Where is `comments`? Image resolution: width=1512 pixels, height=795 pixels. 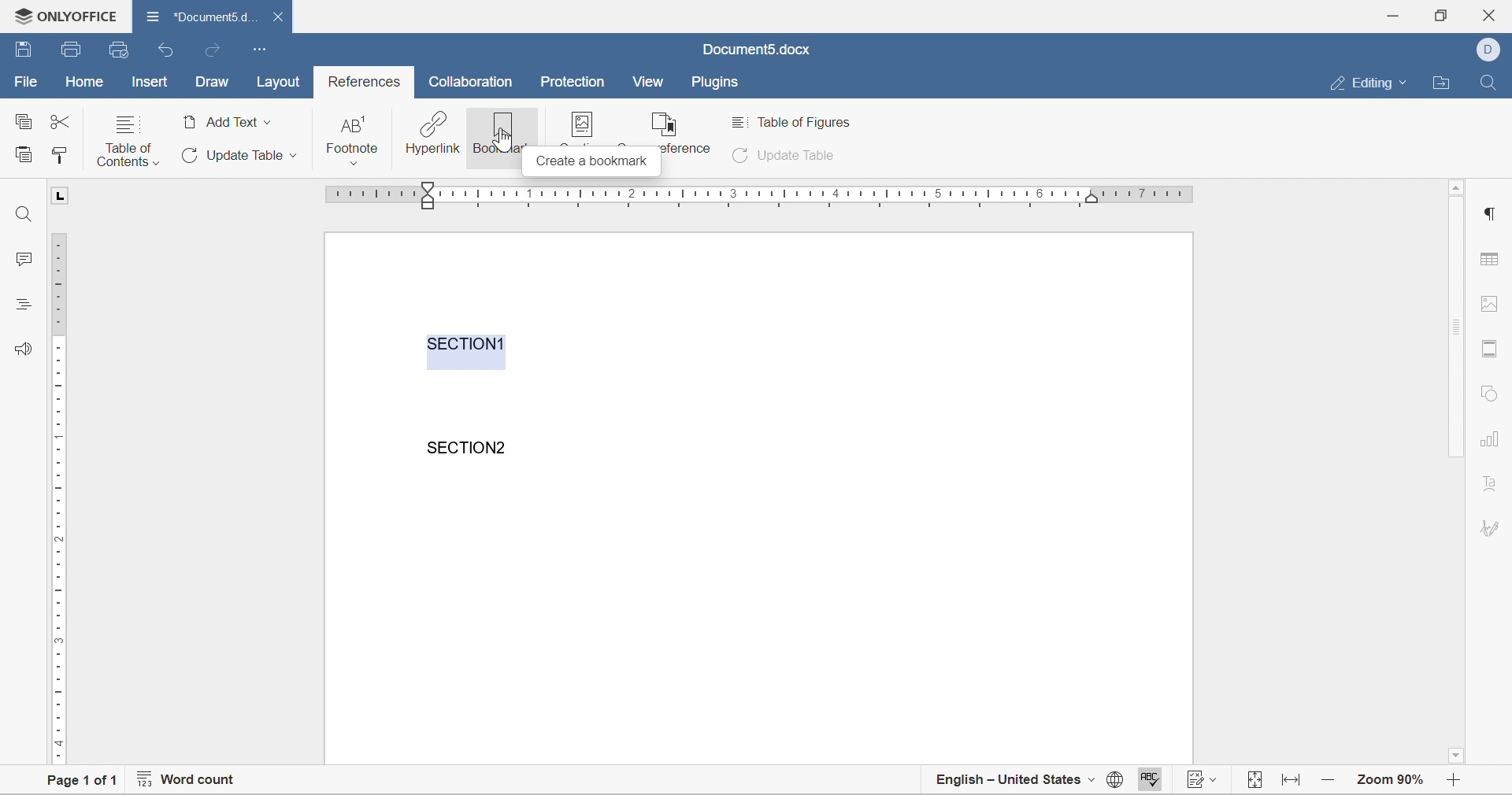 comments is located at coordinates (17, 258).